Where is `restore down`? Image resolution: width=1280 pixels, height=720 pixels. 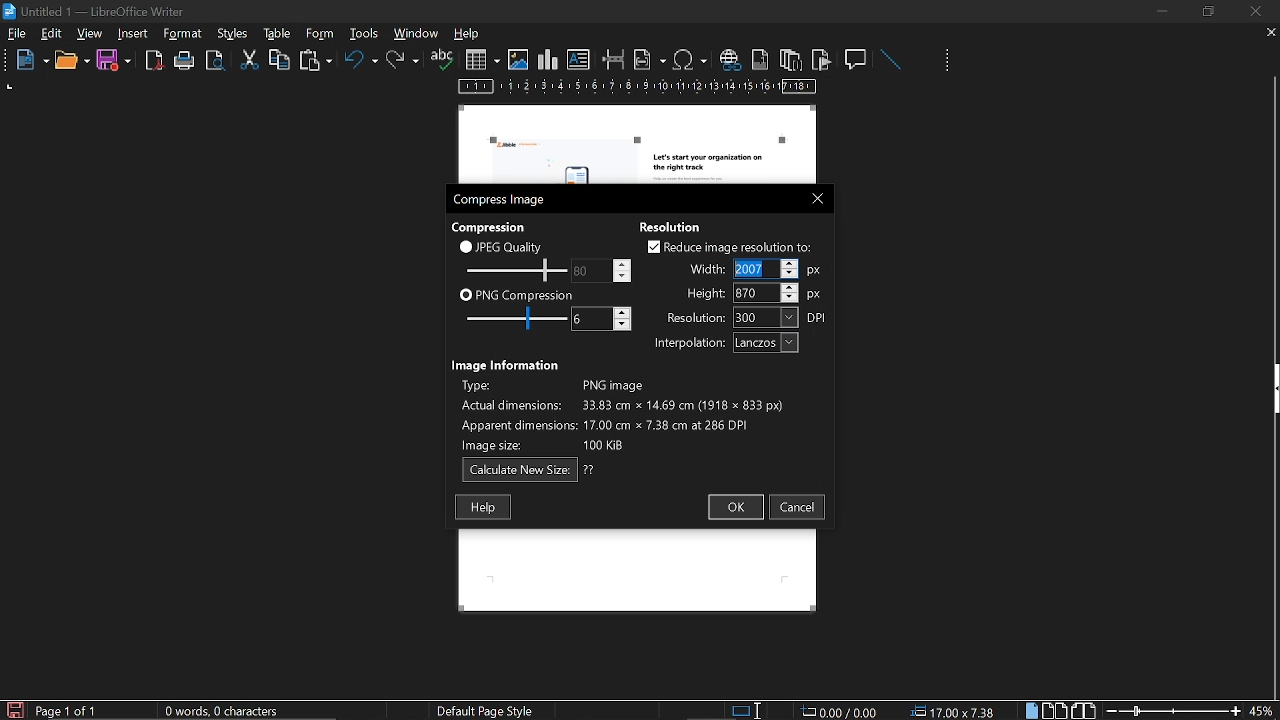 restore down is located at coordinates (1211, 11).